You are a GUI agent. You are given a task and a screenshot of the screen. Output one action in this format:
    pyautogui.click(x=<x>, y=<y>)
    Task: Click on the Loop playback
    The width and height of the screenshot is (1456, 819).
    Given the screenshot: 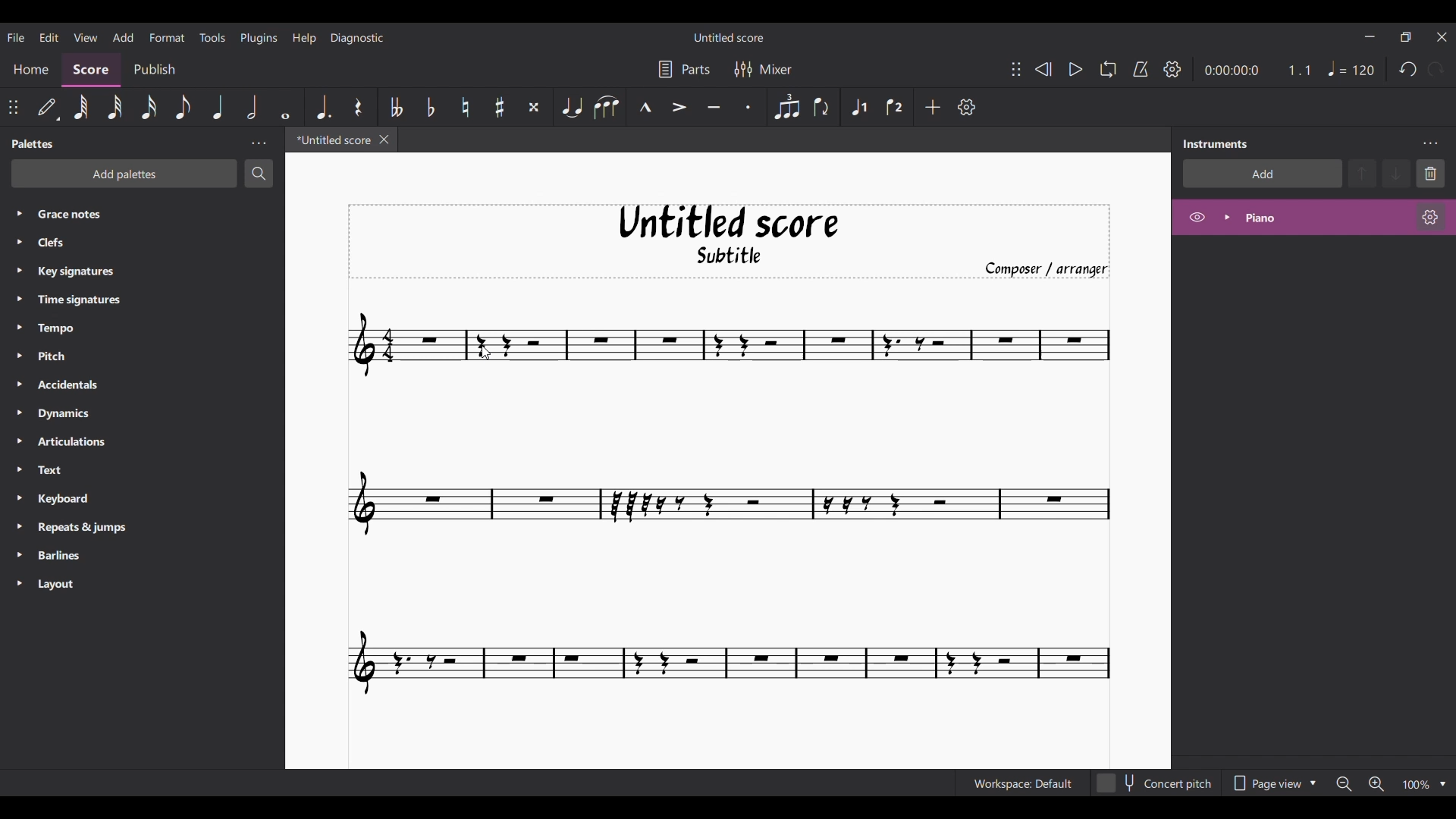 What is the action you would take?
    pyautogui.click(x=1107, y=69)
    